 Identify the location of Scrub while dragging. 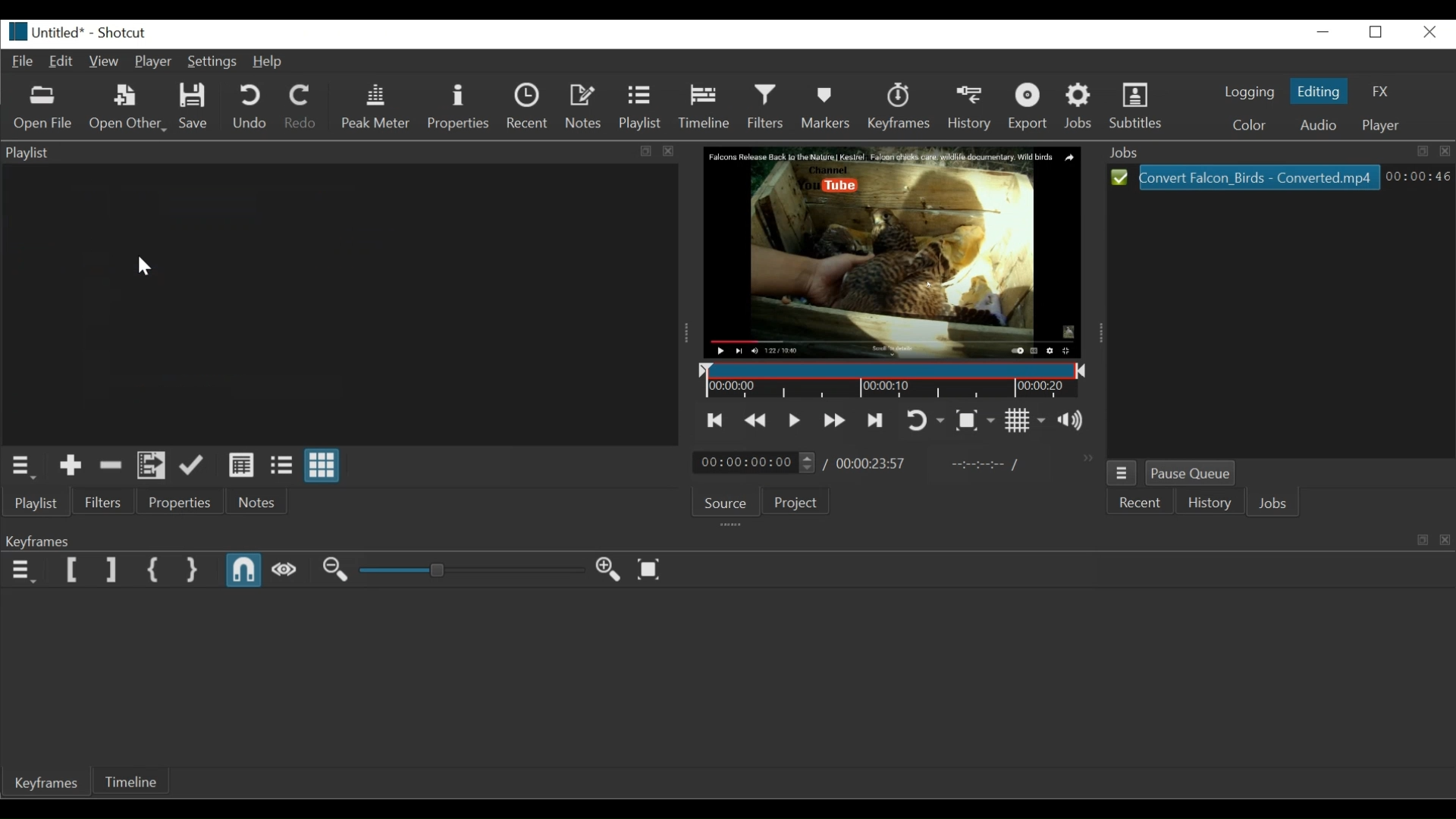
(284, 569).